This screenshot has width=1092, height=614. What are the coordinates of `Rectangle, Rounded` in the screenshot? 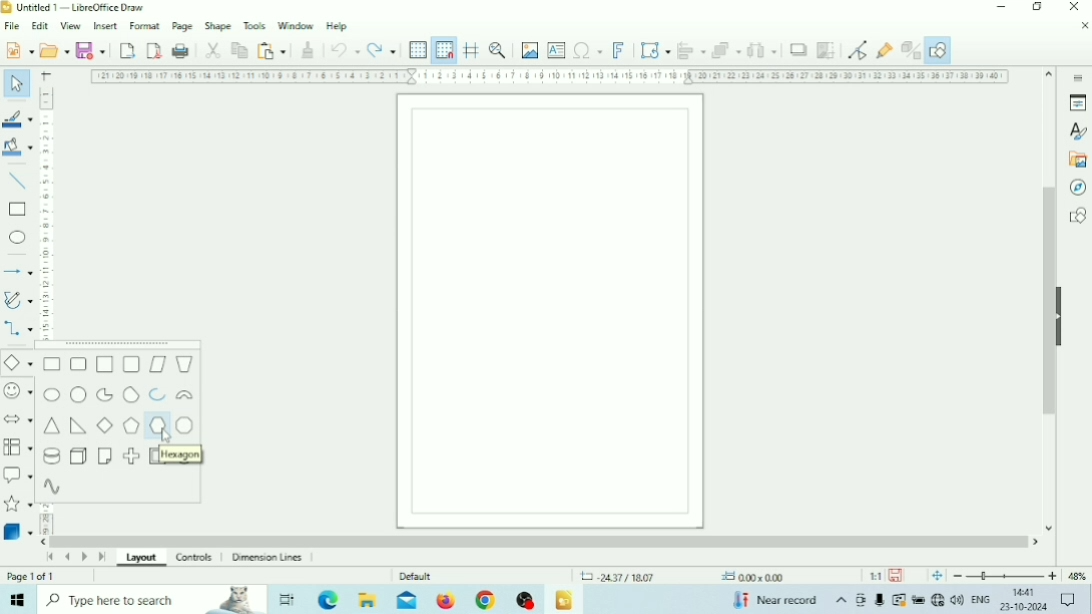 It's located at (78, 363).